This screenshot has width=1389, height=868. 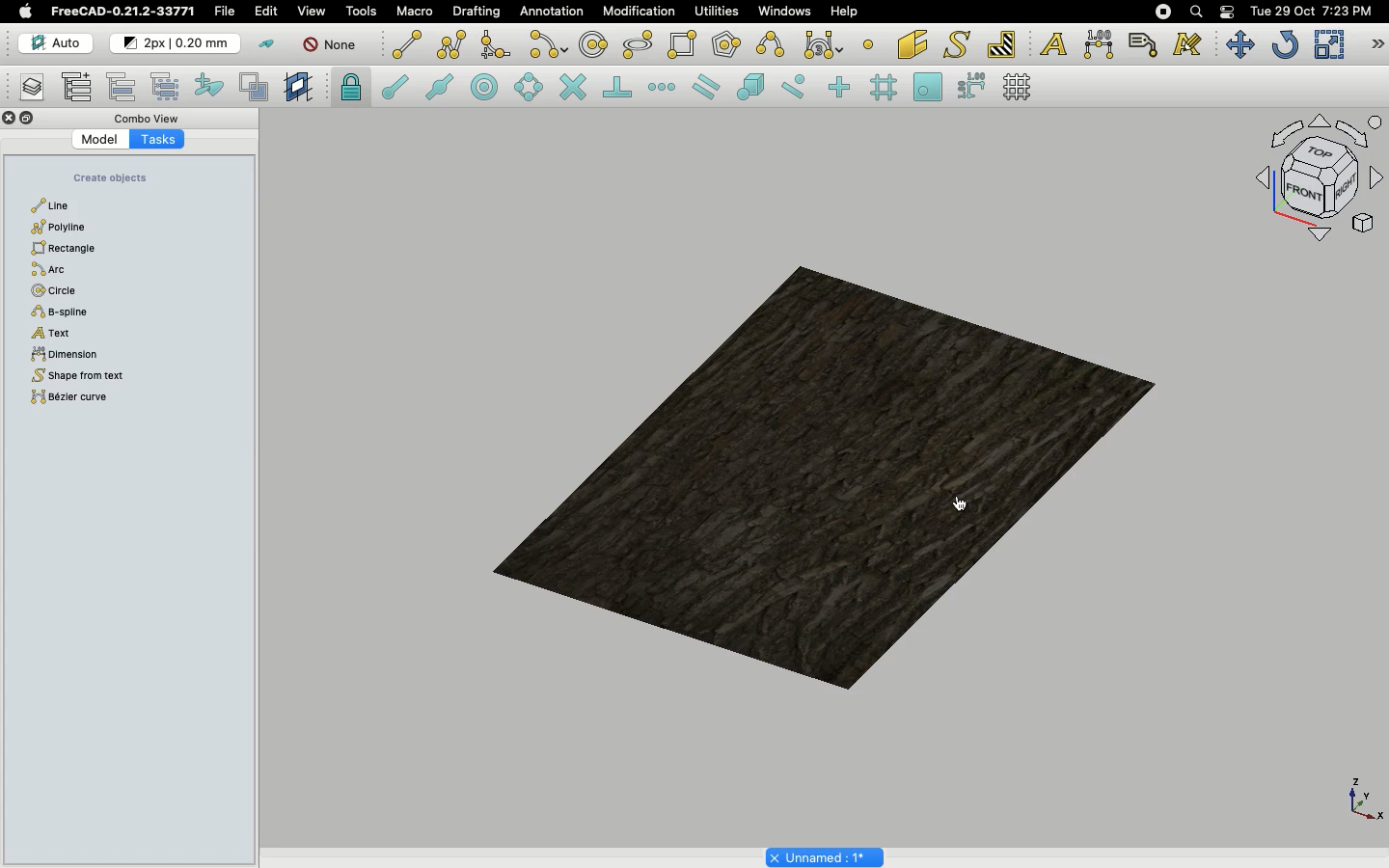 I want to click on Fillet, so click(x=495, y=45).